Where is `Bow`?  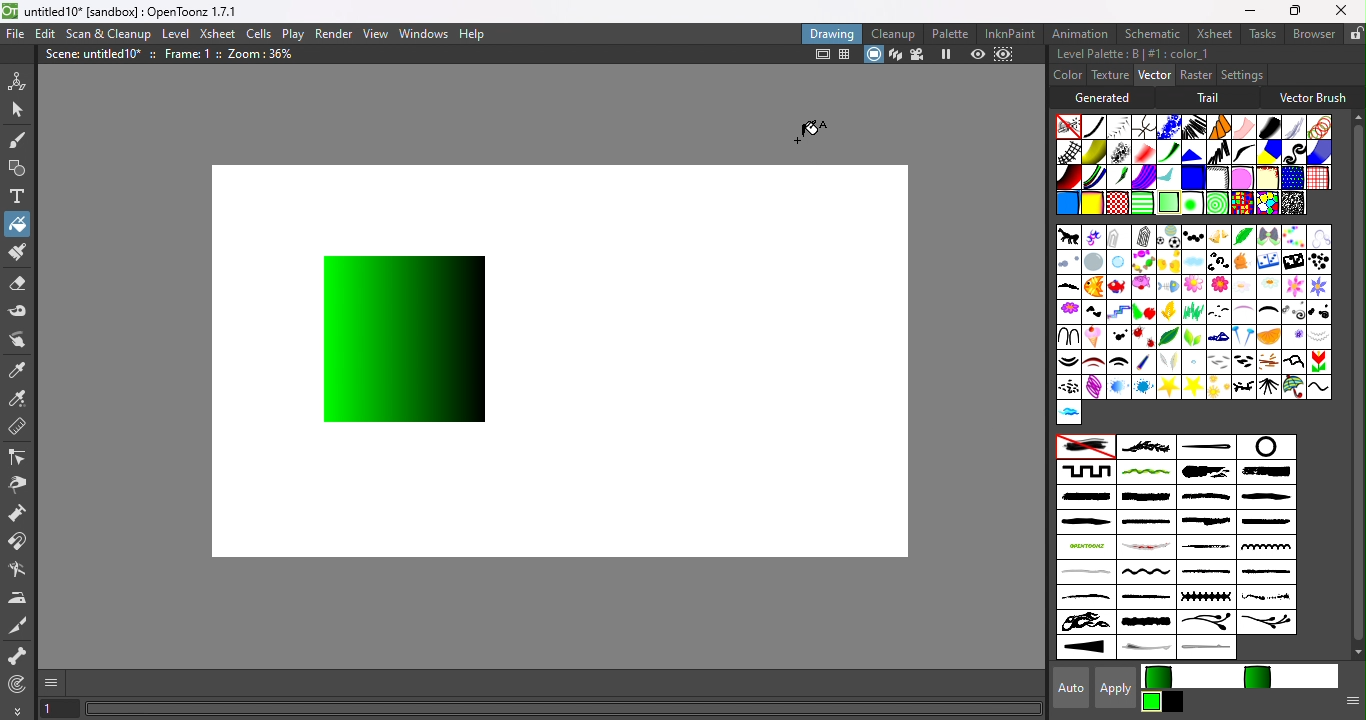
Bow is located at coordinates (1268, 237).